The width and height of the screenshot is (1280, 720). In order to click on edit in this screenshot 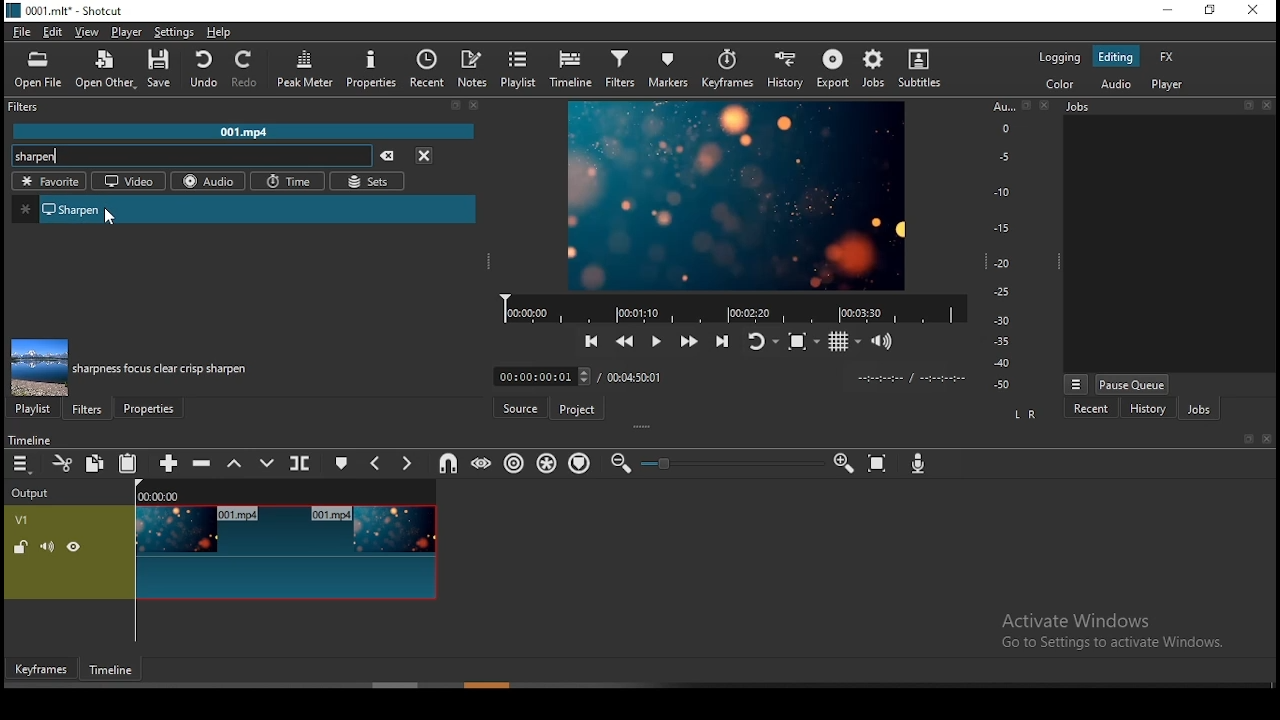, I will do `click(55, 32)`.